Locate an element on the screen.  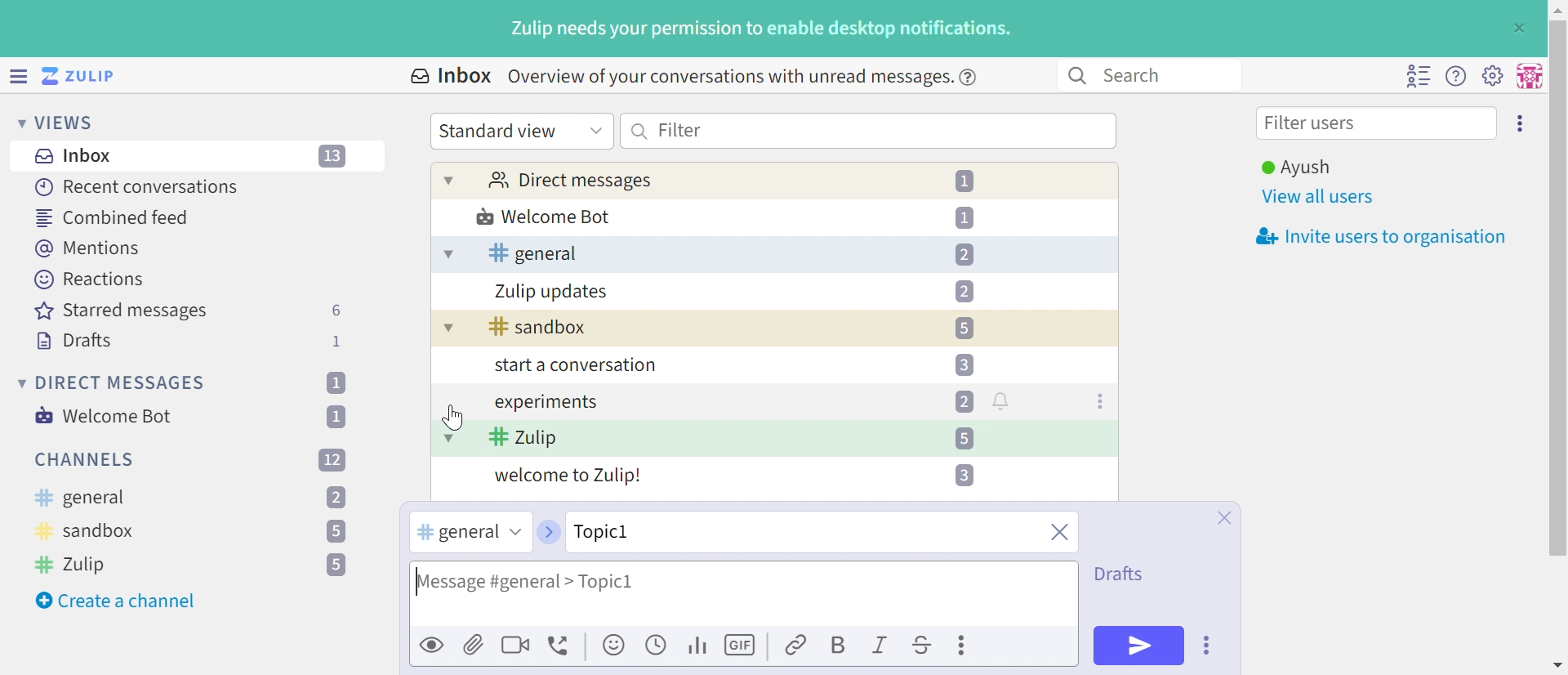
Add voice call is located at coordinates (561, 646).